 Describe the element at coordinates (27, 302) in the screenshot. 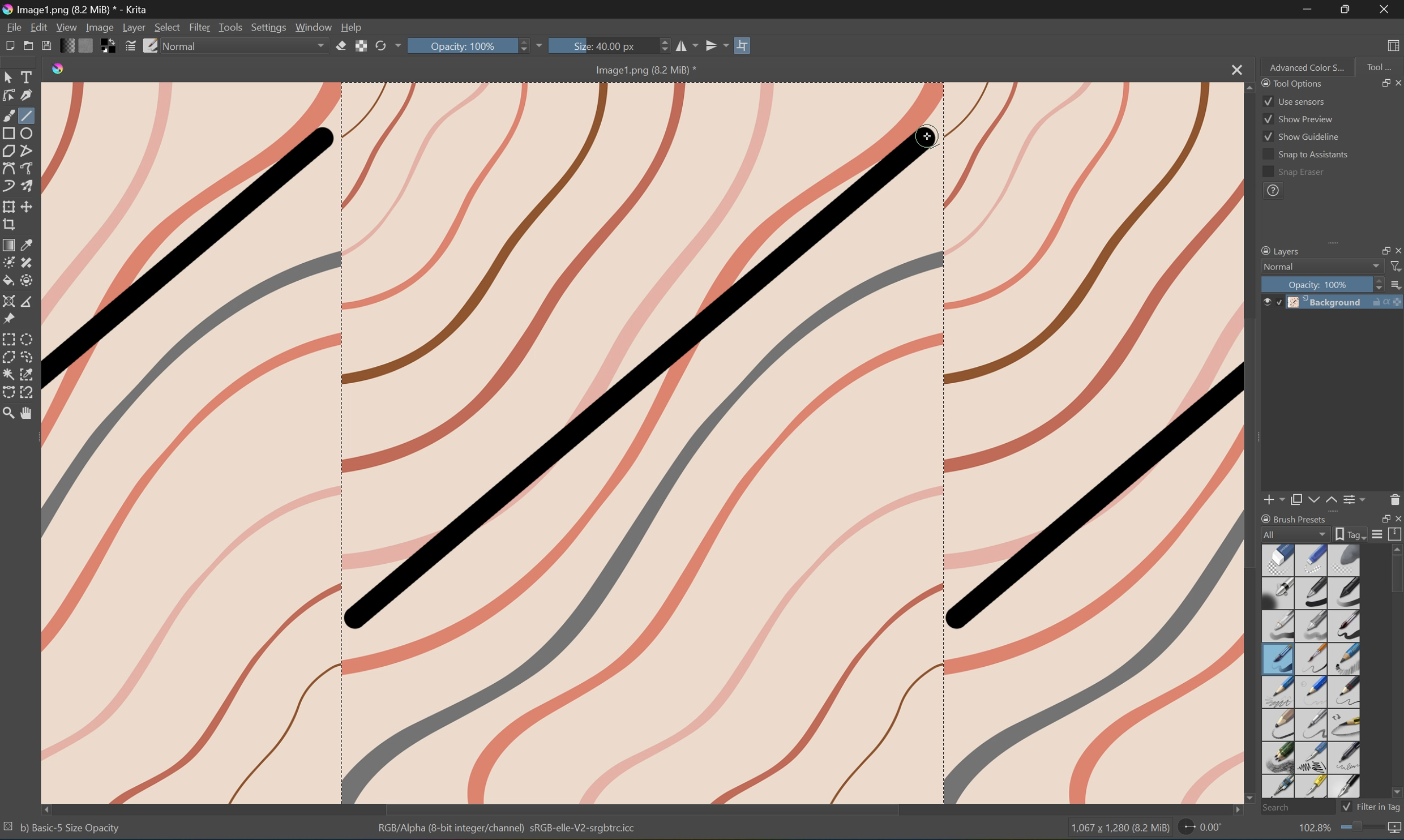

I see `Measure the distance between two points` at that location.